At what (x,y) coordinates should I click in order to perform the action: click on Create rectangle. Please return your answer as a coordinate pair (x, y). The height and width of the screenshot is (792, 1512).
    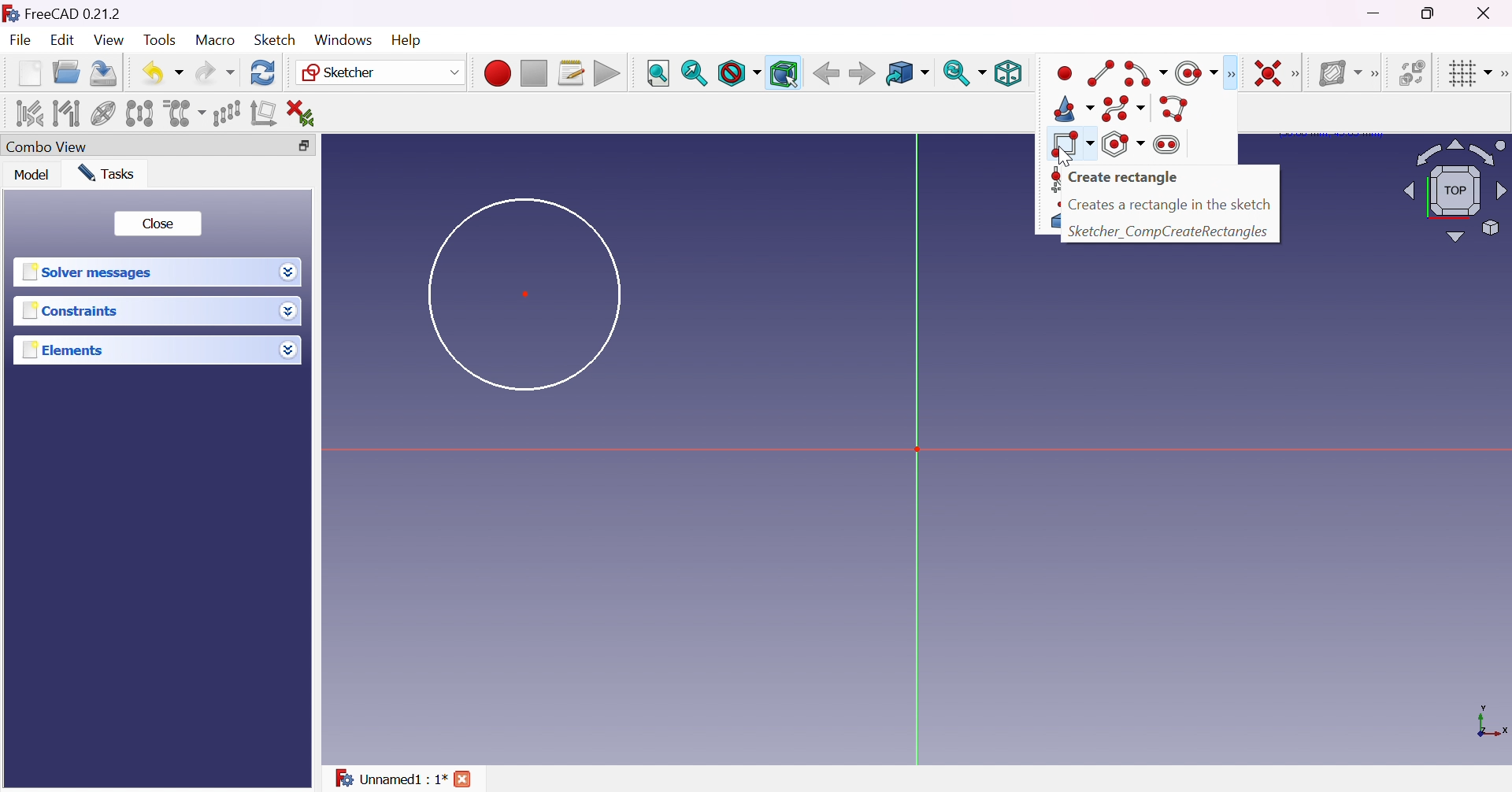
    Looking at the image, I should click on (1130, 179).